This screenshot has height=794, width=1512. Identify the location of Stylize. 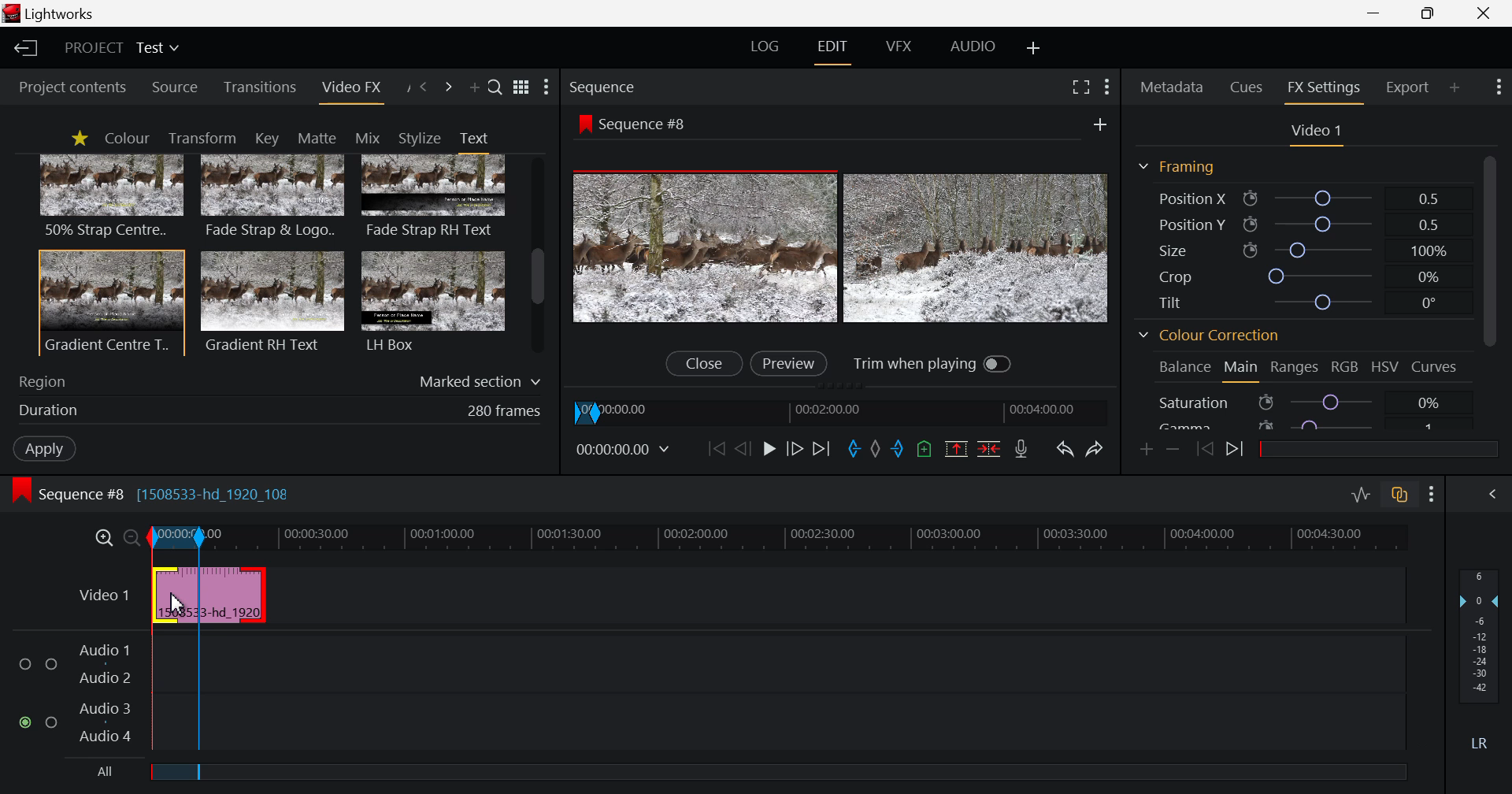
(420, 138).